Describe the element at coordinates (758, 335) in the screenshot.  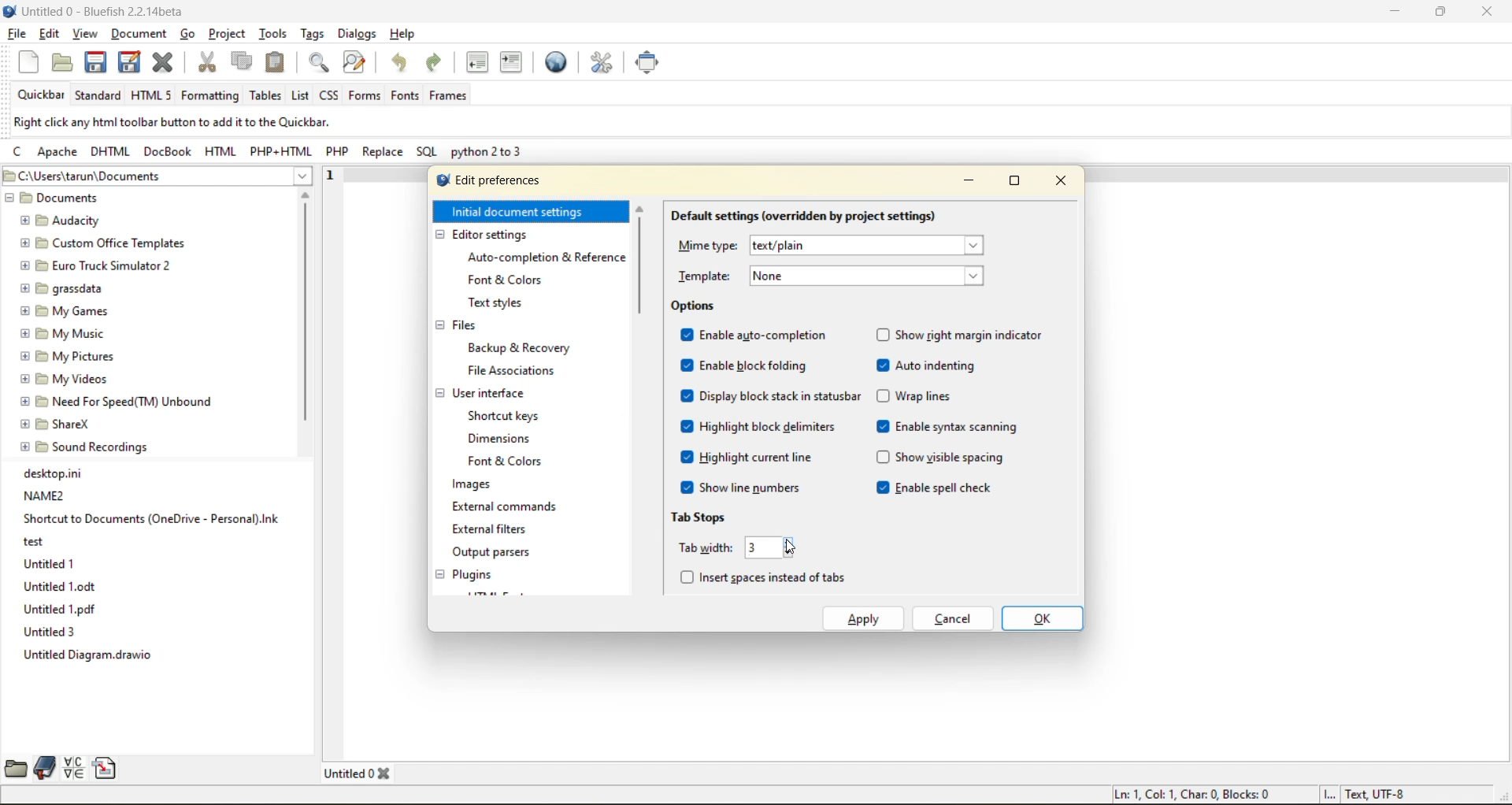
I see `enable auto completions` at that location.